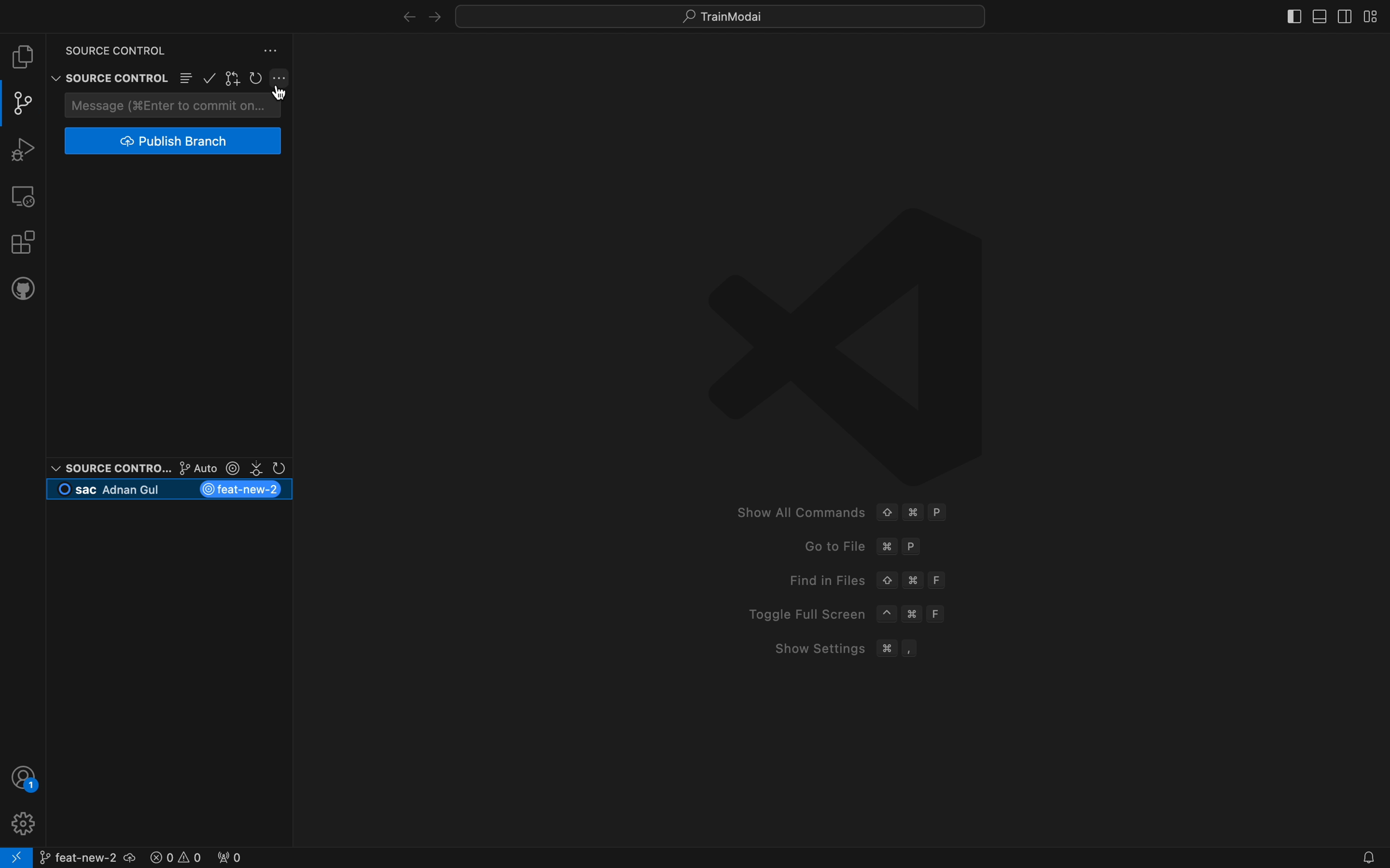 Image resolution: width=1390 pixels, height=868 pixels. Describe the element at coordinates (940, 580) in the screenshot. I see `F` at that location.